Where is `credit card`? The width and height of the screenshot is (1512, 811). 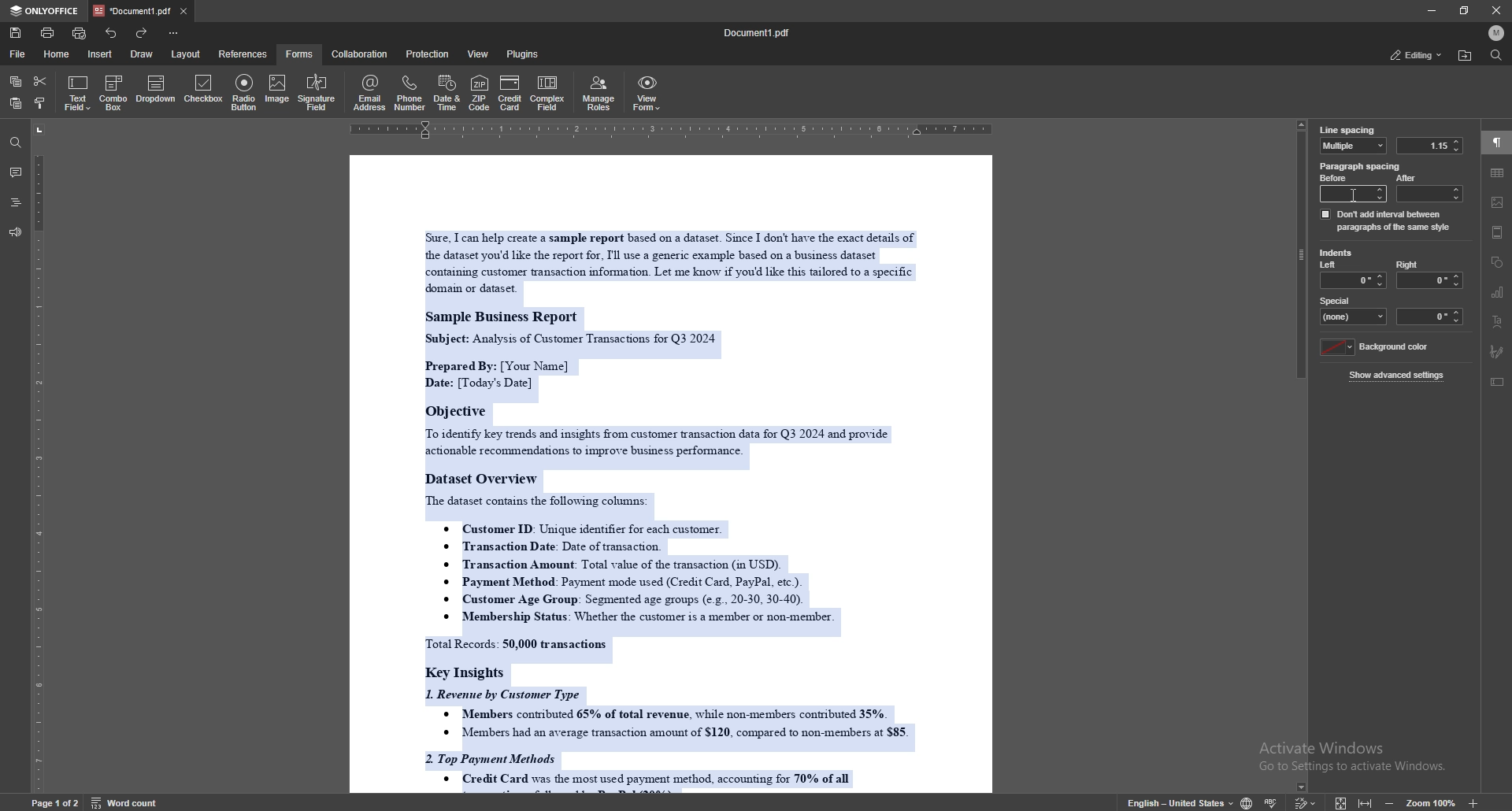
credit card is located at coordinates (510, 92).